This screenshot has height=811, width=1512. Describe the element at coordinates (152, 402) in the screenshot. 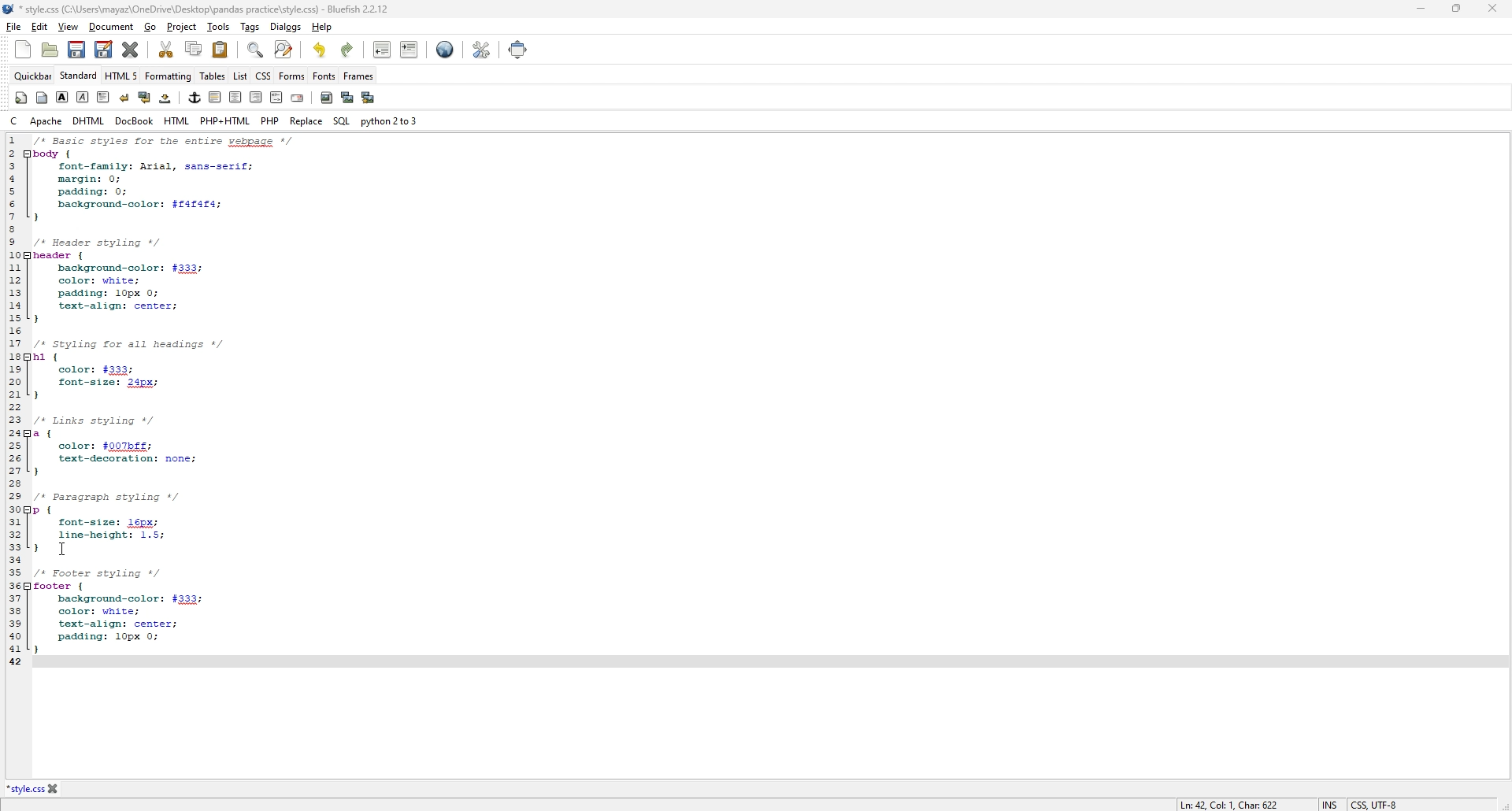

I see `1 /* Basic styles for entire webpage */ 2 body { 3 font-family: Arial, sans-serif; 4 margin: 0; 5 padding: 0; 6 background-color: $f4f4f4; 7} 8 9 /* Header styling */ 10 header { 11 background-color: #333; 12 color: white; 13 padding: 10px 0; 14 text-align: center; 15 } 16 17 /* Styling for all headings */ 18 h1 { 19 color: #333; 20 font-size: 24px; 21 } 22 23 /* Links styling */ 24 a { 25 color: #007bff; 26 text-decoration: none; 27 } 28 29 /* Paragraph styling */ 30 p { 31 font-size: 16px; 32 line-height: 1.5; 33 } 34 35 /* Footer styling */ 36 footer {37 background-color: #333; 38 color: white; 39 text-align: center; 40 padding: 10px 0; 41 } 42` at that location.